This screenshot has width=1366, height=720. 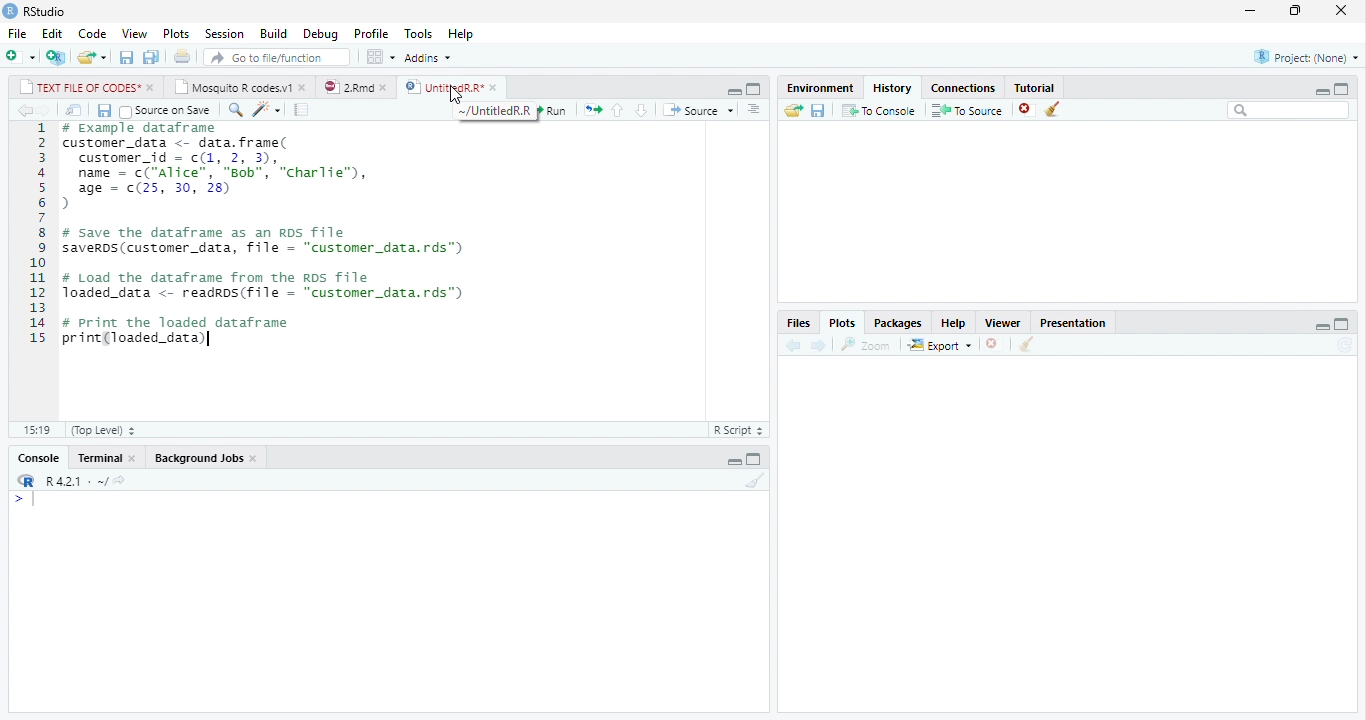 What do you see at coordinates (1036, 87) in the screenshot?
I see `Tutorial` at bounding box center [1036, 87].